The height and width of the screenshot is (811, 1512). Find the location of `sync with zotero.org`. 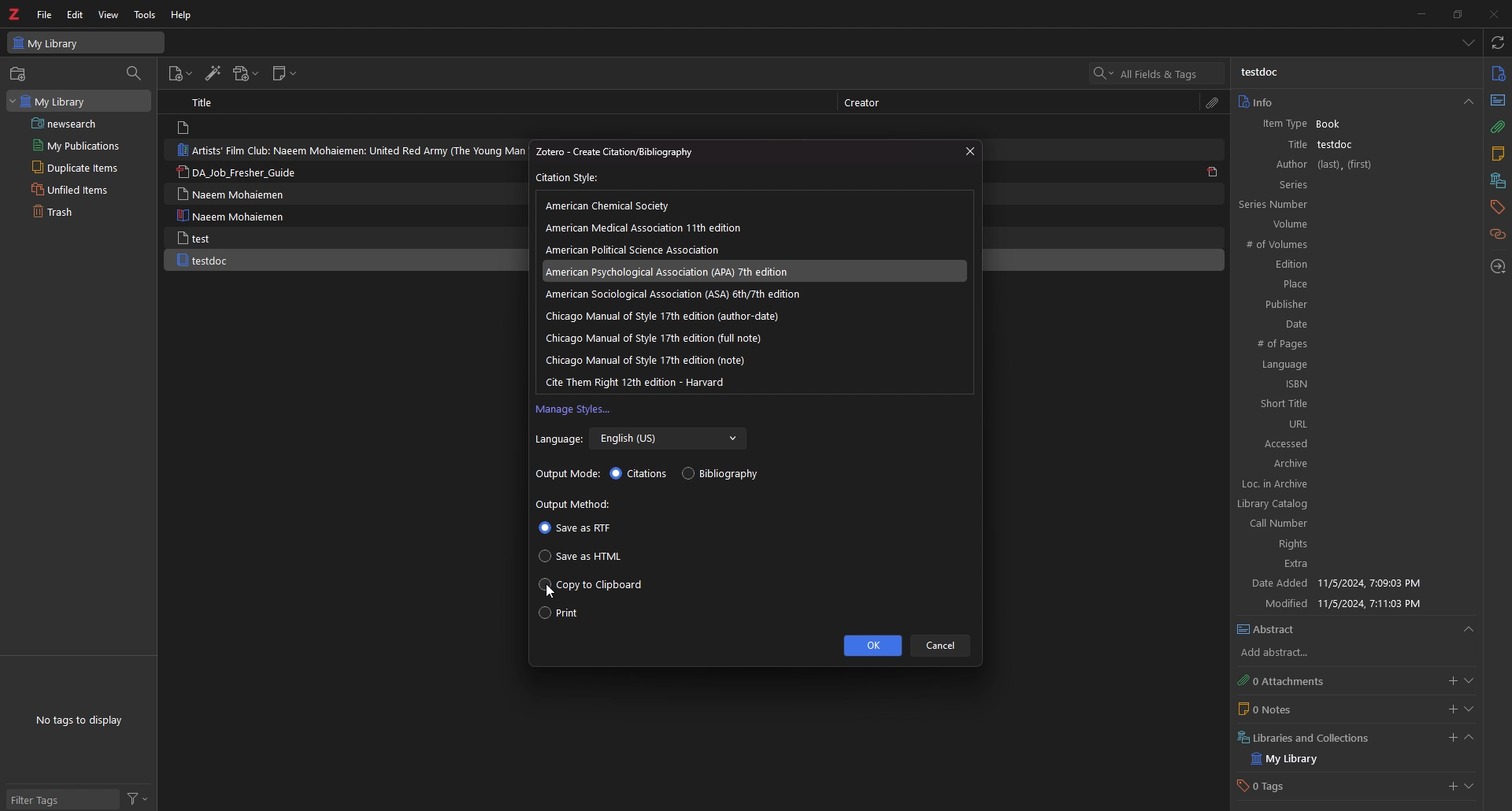

sync with zotero.org is located at coordinates (1499, 42).